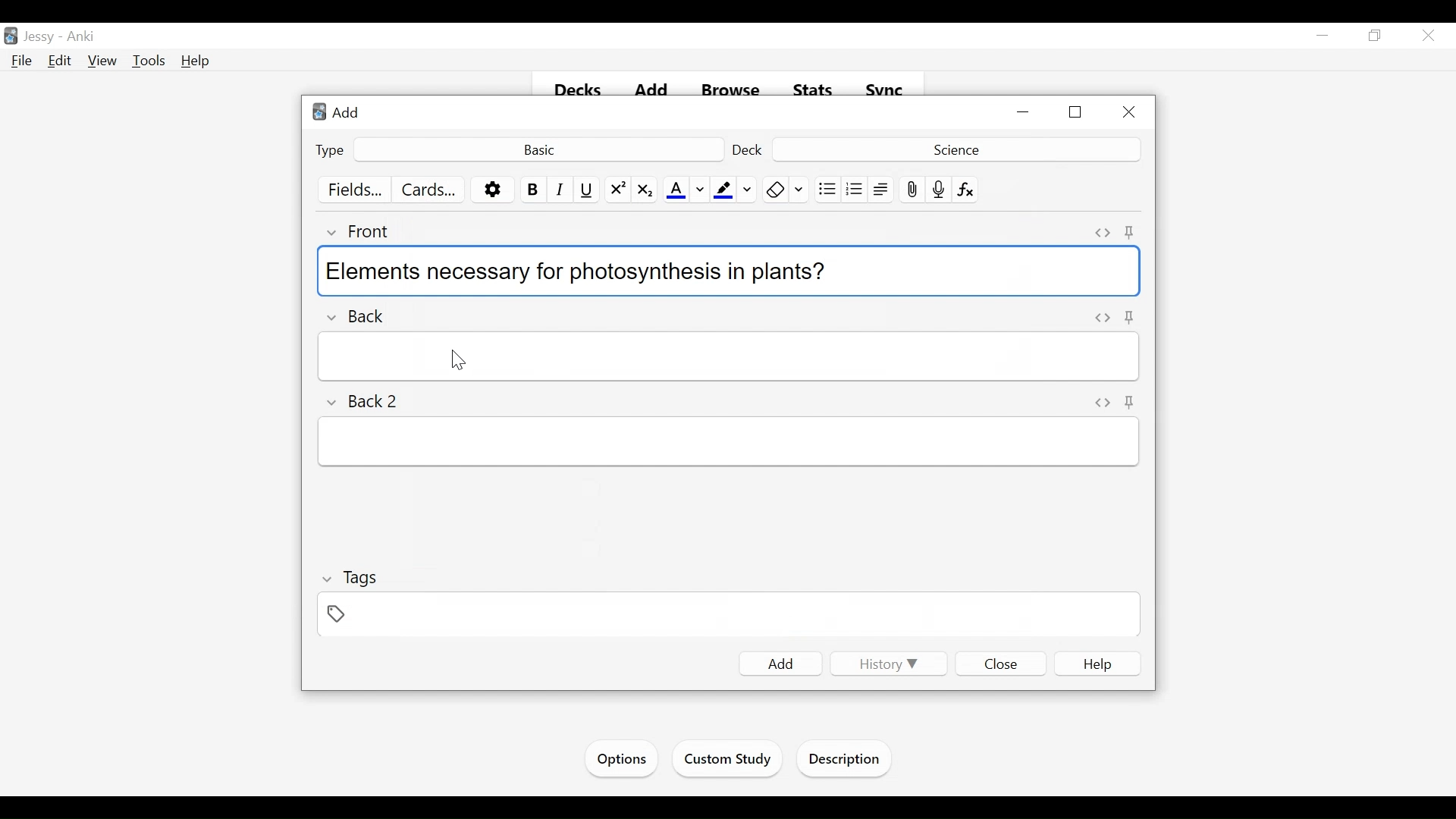 This screenshot has width=1456, height=819. I want to click on Text Color, so click(676, 190).